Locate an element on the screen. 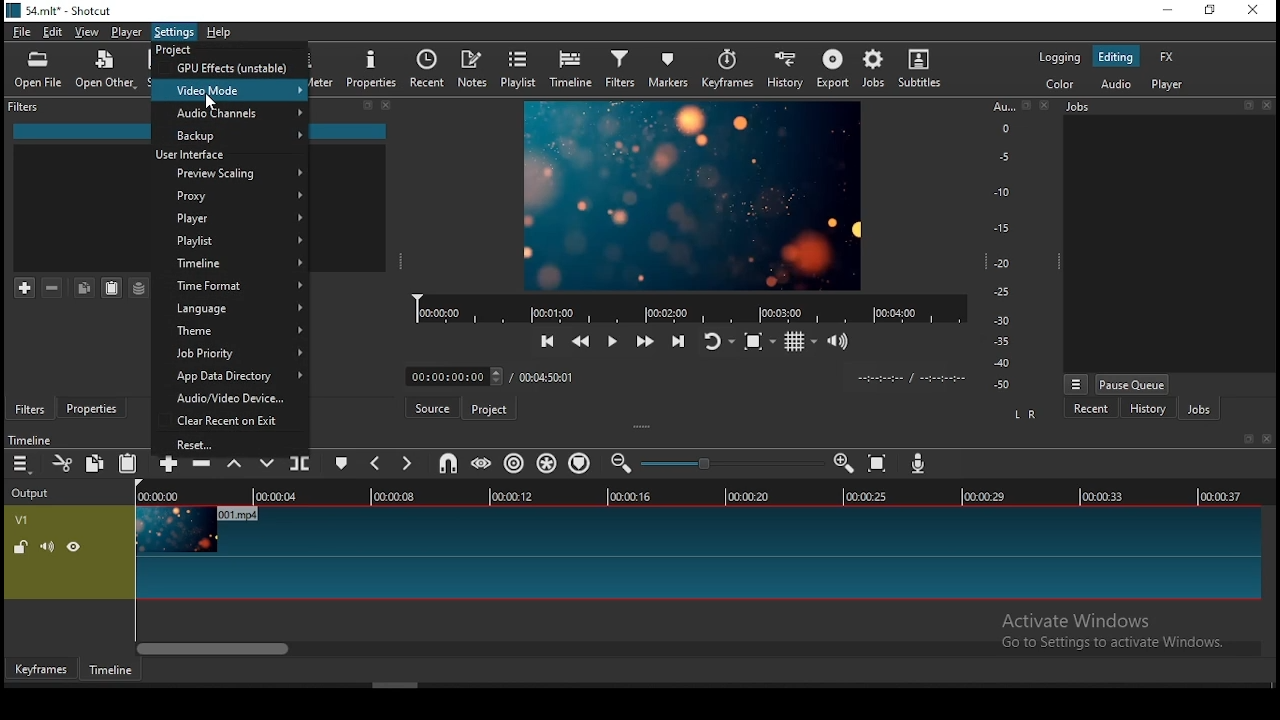 The height and width of the screenshot is (720, 1280). -40 is located at coordinates (1002, 363).